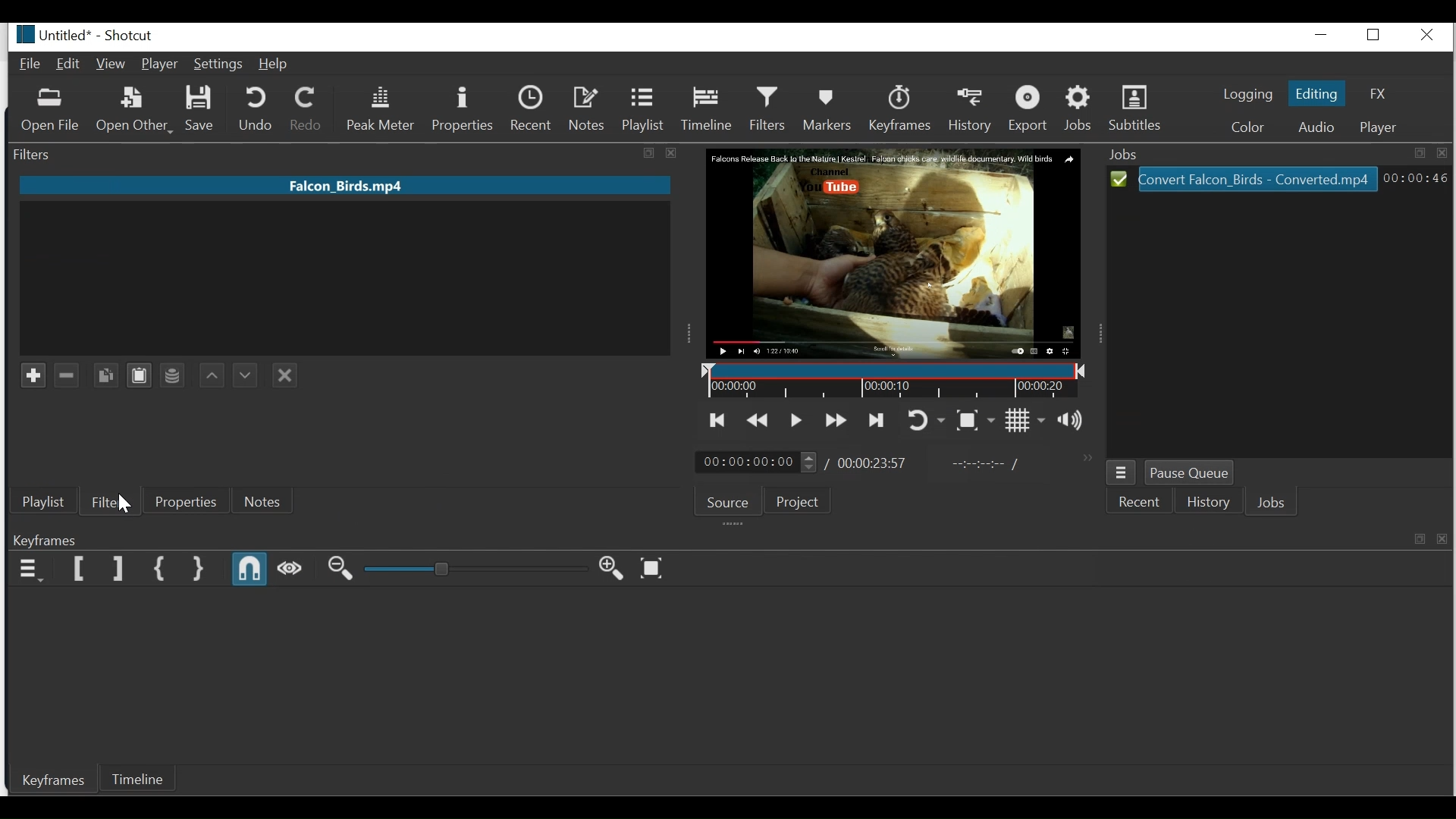 The height and width of the screenshot is (819, 1456). Describe the element at coordinates (1122, 472) in the screenshot. I see `Jobs menu` at that location.